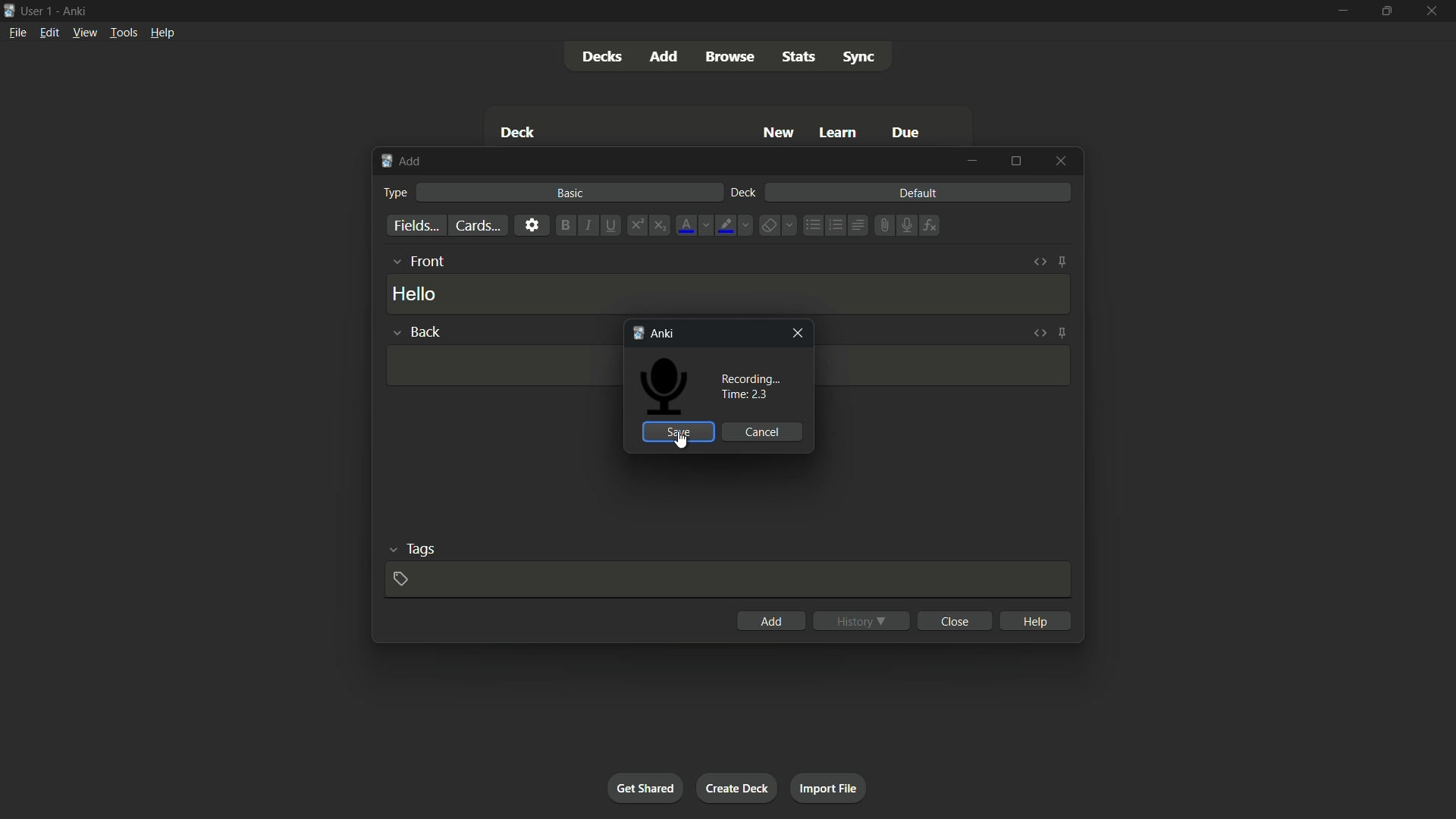  I want to click on deck, so click(518, 132).